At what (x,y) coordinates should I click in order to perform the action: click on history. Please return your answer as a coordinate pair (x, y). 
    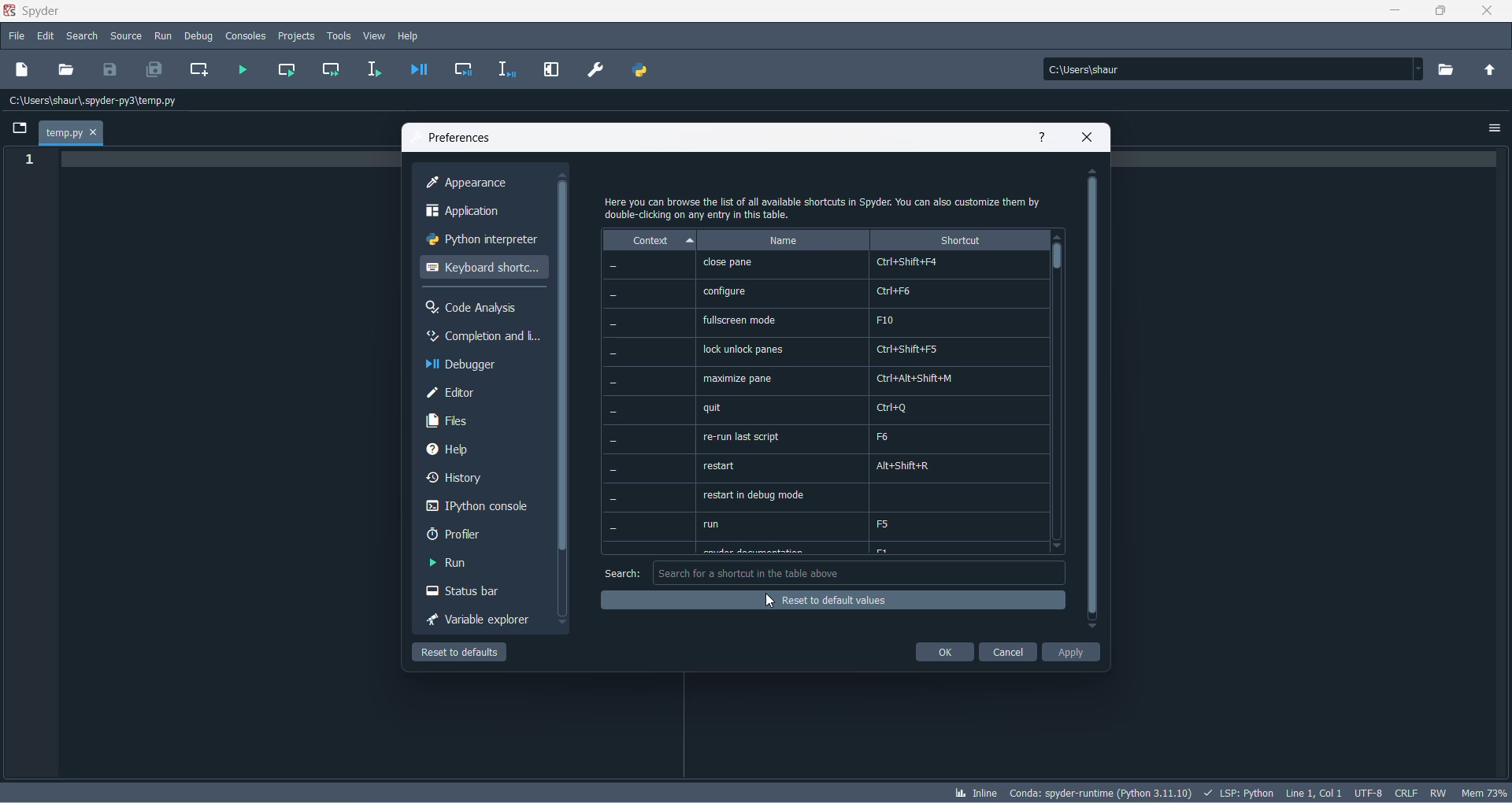
    Looking at the image, I should click on (476, 479).